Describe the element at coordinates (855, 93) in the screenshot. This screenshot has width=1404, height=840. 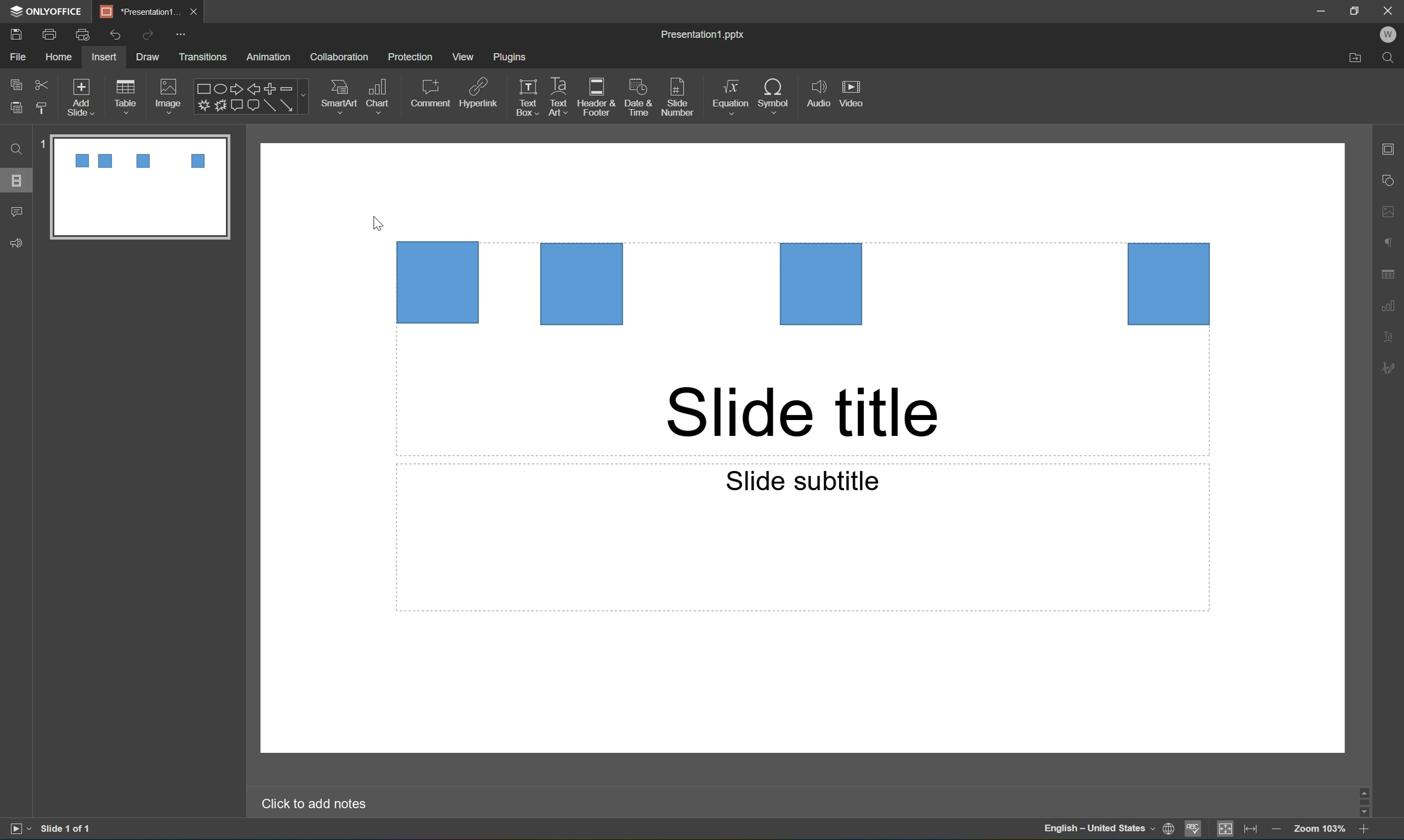
I see `video` at that location.